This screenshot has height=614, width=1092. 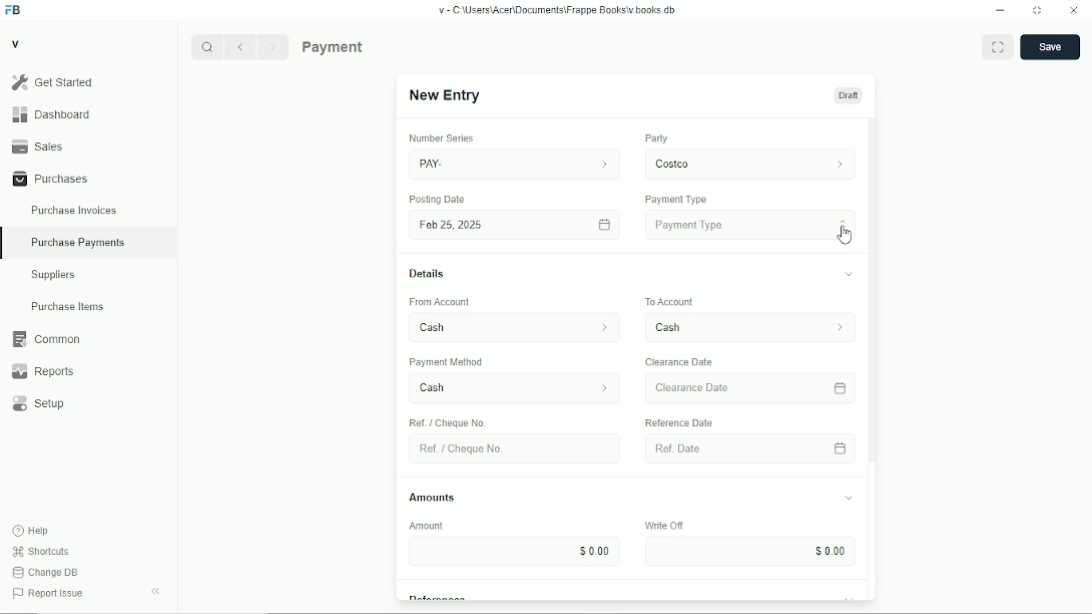 What do you see at coordinates (842, 448) in the screenshot?
I see `calender` at bounding box center [842, 448].